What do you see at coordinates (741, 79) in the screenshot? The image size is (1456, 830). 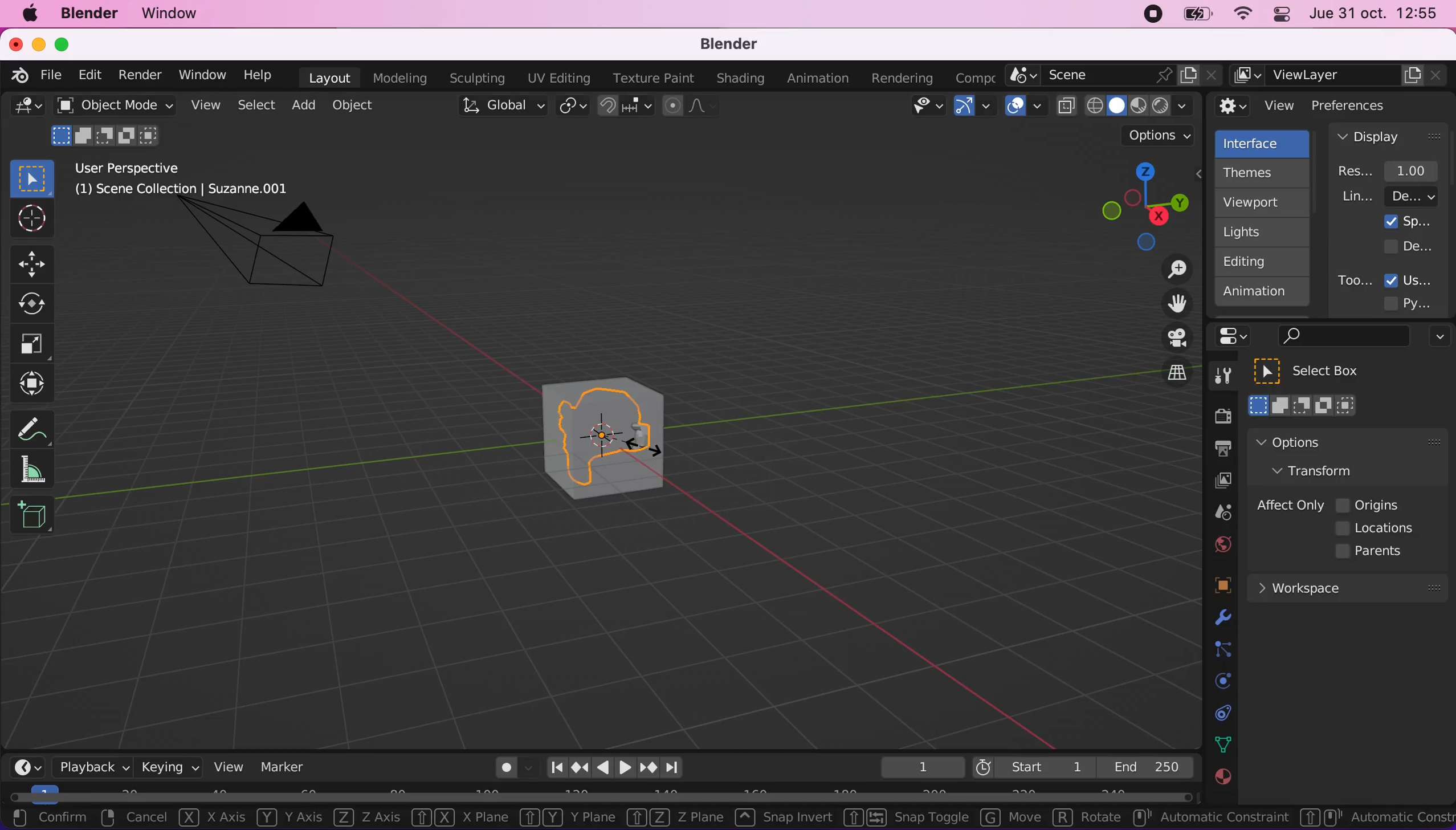 I see `shading` at bounding box center [741, 79].